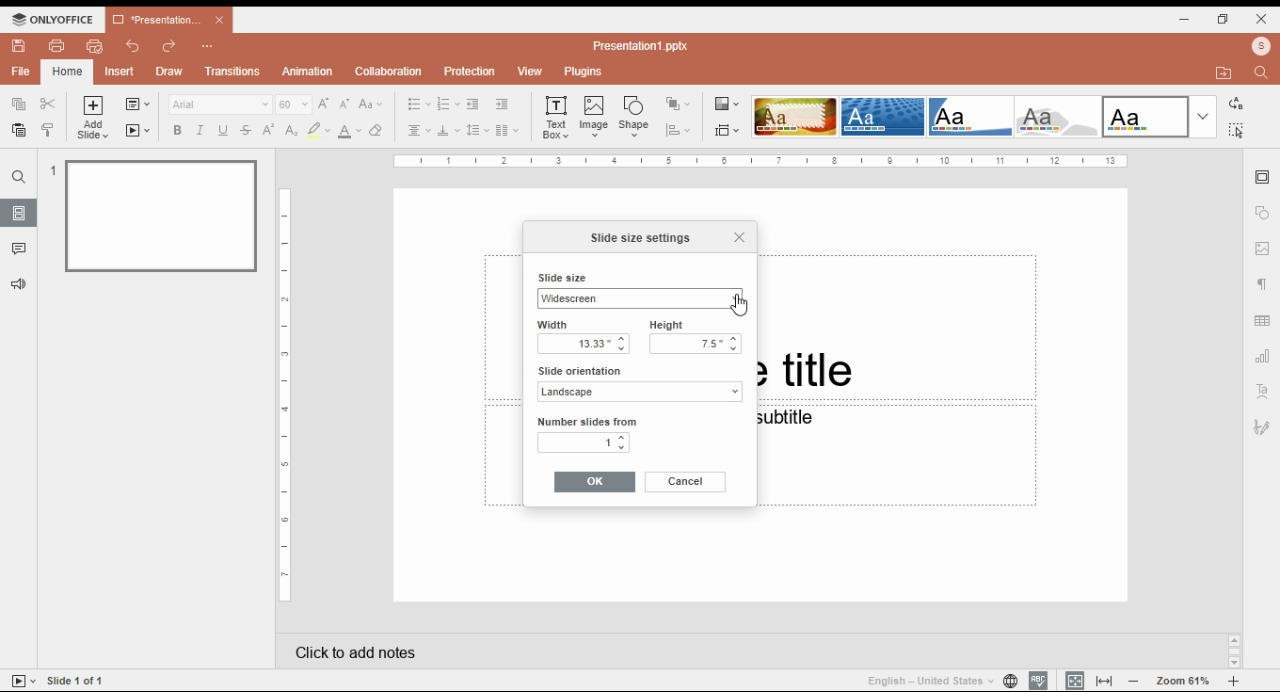 The width and height of the screenshot is (1280, 692). I want to click on numbering, so click(448, 105).